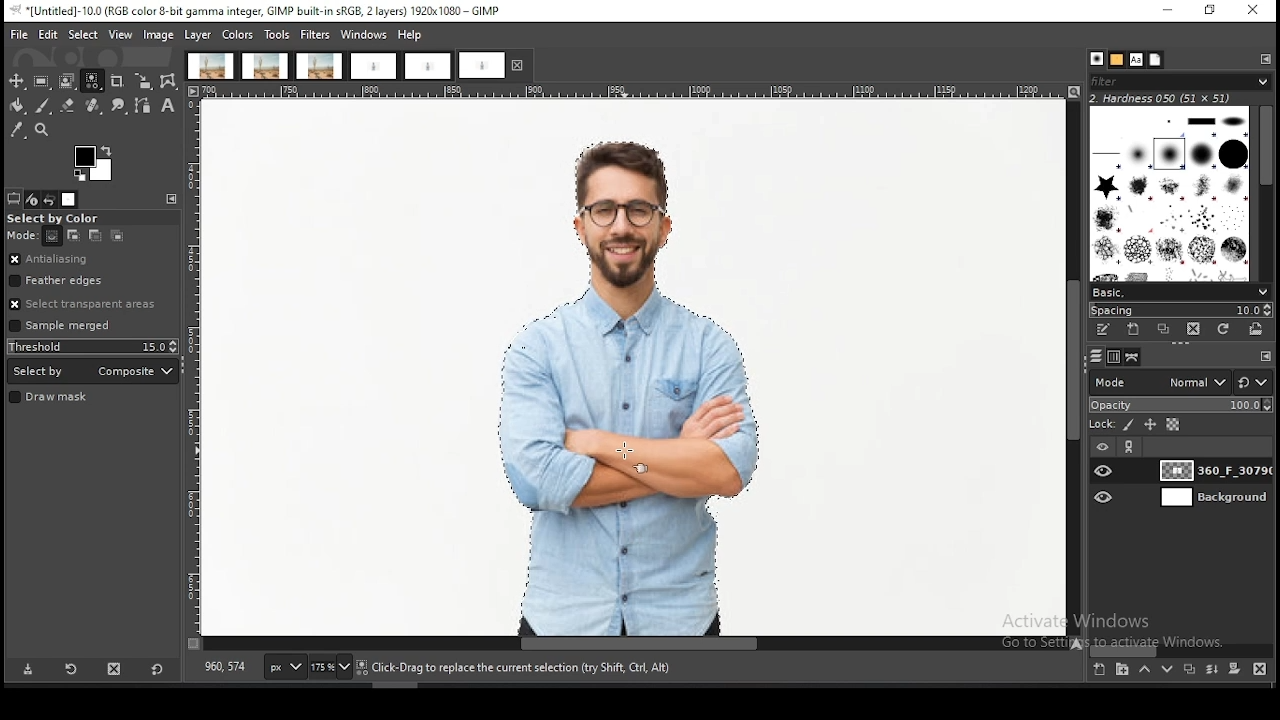 This screenshot has width=1280, height=720. I want to click on paths, so click(1135, 357).